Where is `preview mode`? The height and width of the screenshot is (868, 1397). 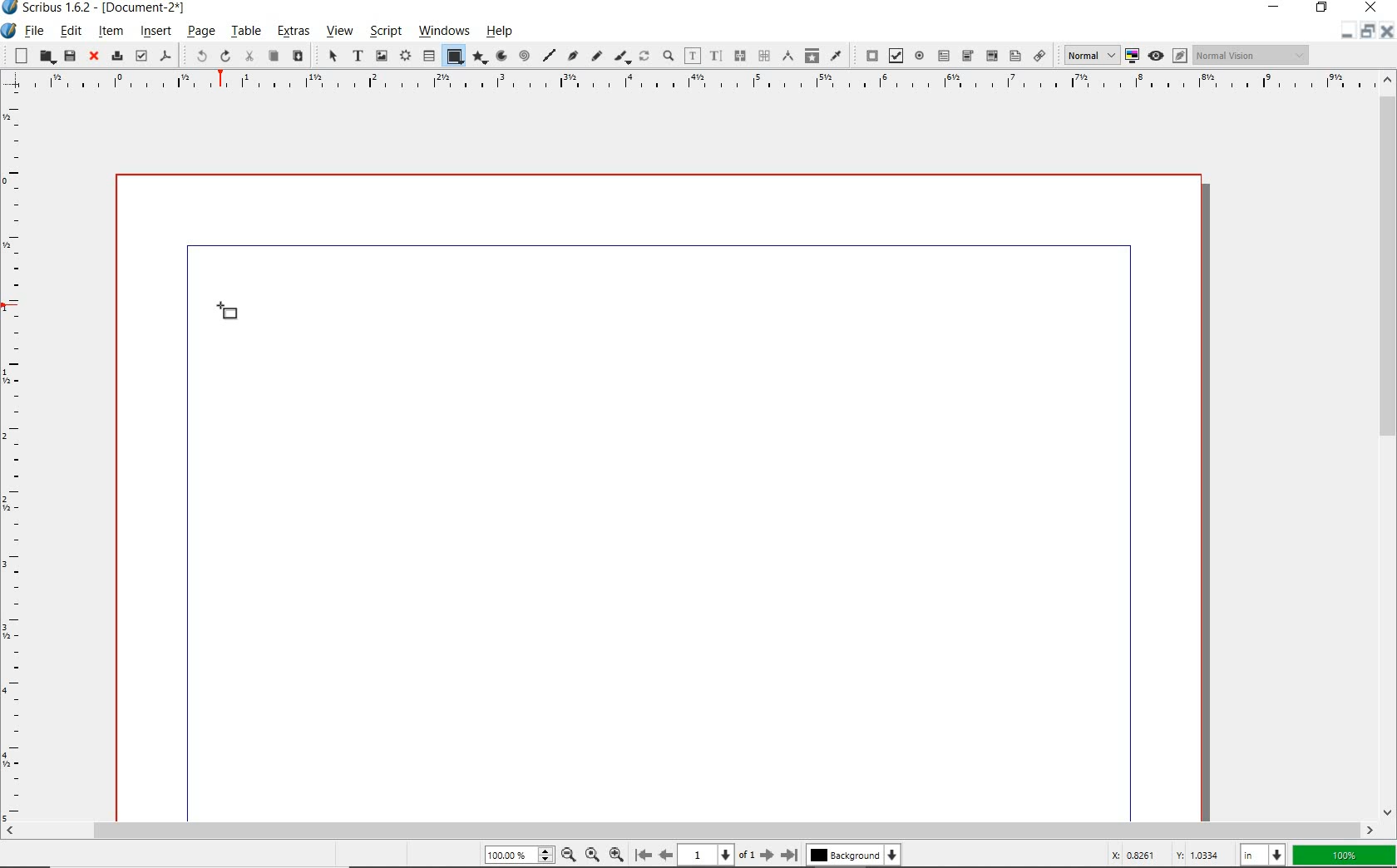 preview mode is located at coordinates (1166, 56).